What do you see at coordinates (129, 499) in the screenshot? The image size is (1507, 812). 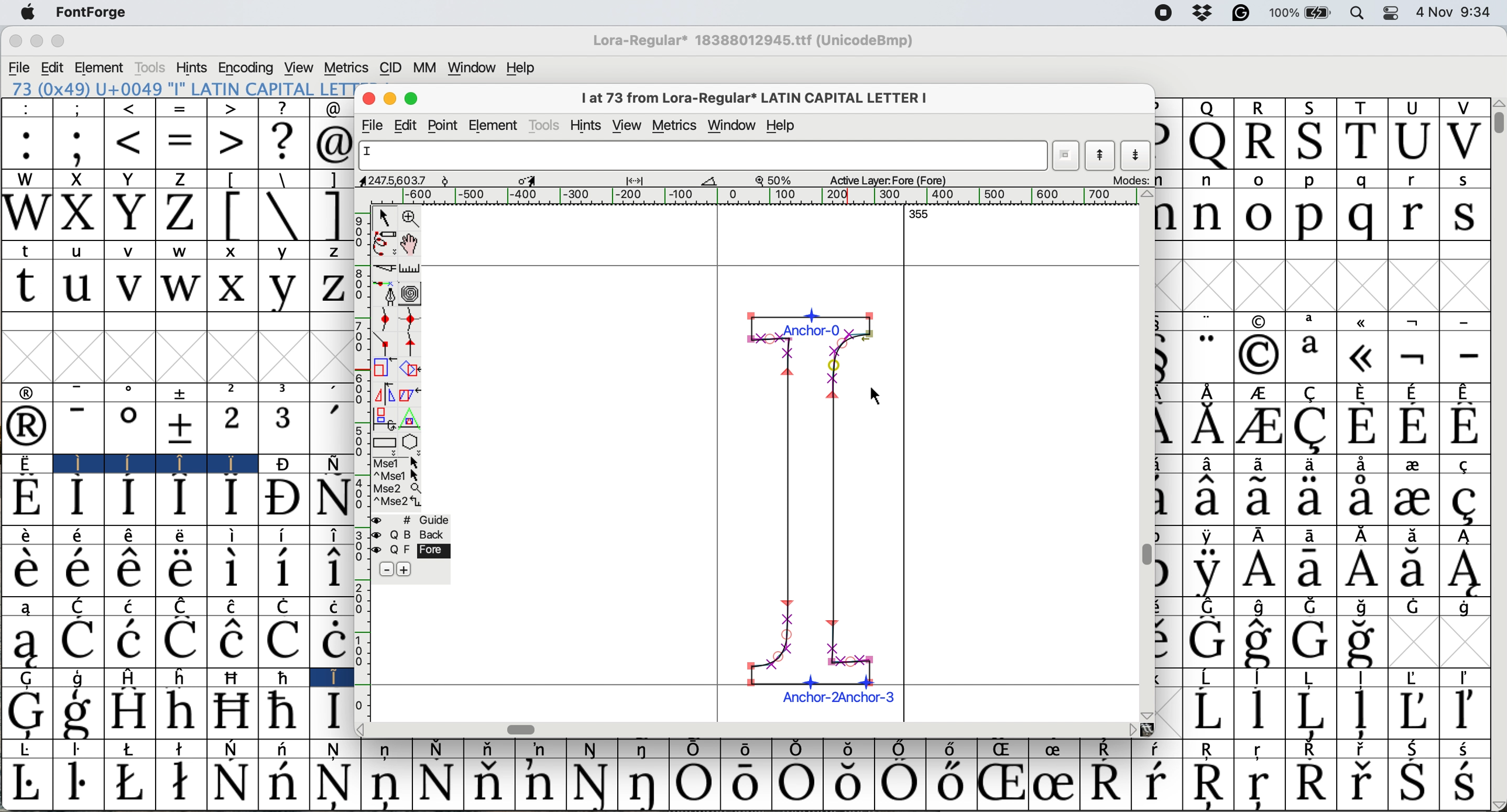 I see `Symbol` at bounding box center [129, 499].